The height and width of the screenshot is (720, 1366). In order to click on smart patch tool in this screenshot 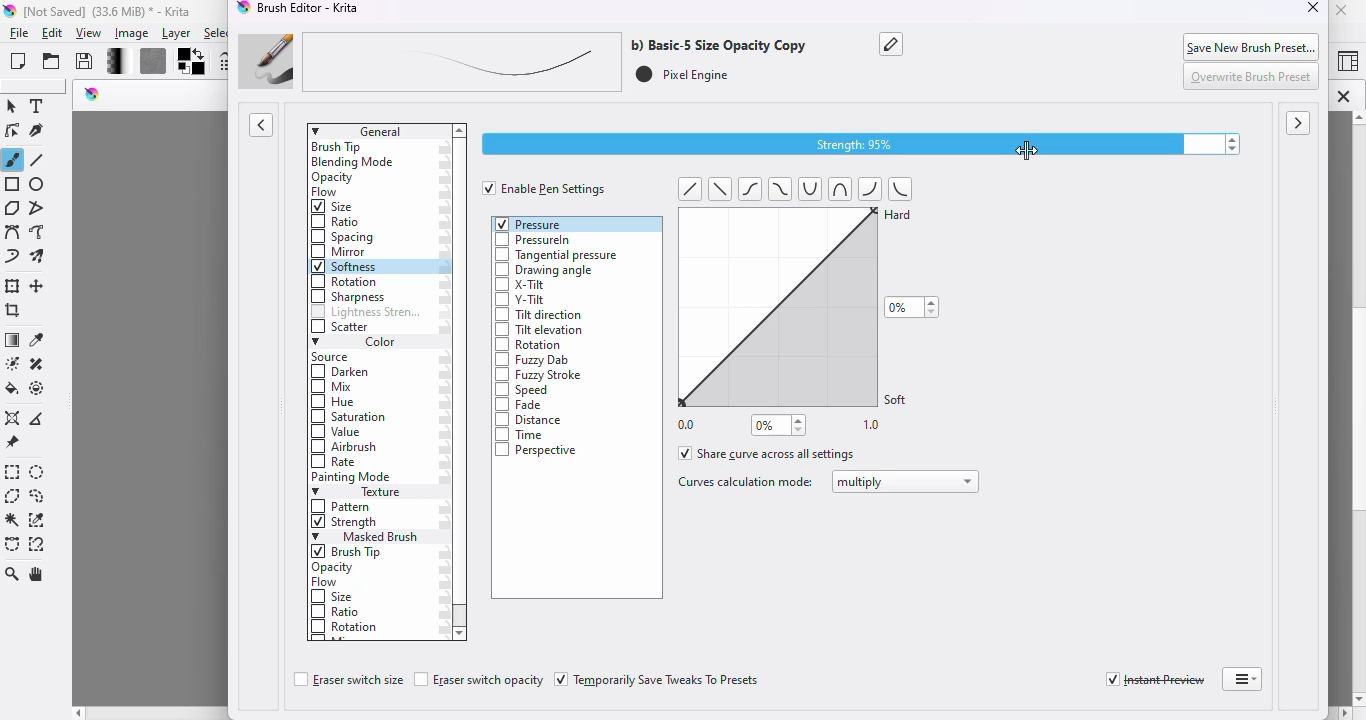, I will do `click(37, 363)`.